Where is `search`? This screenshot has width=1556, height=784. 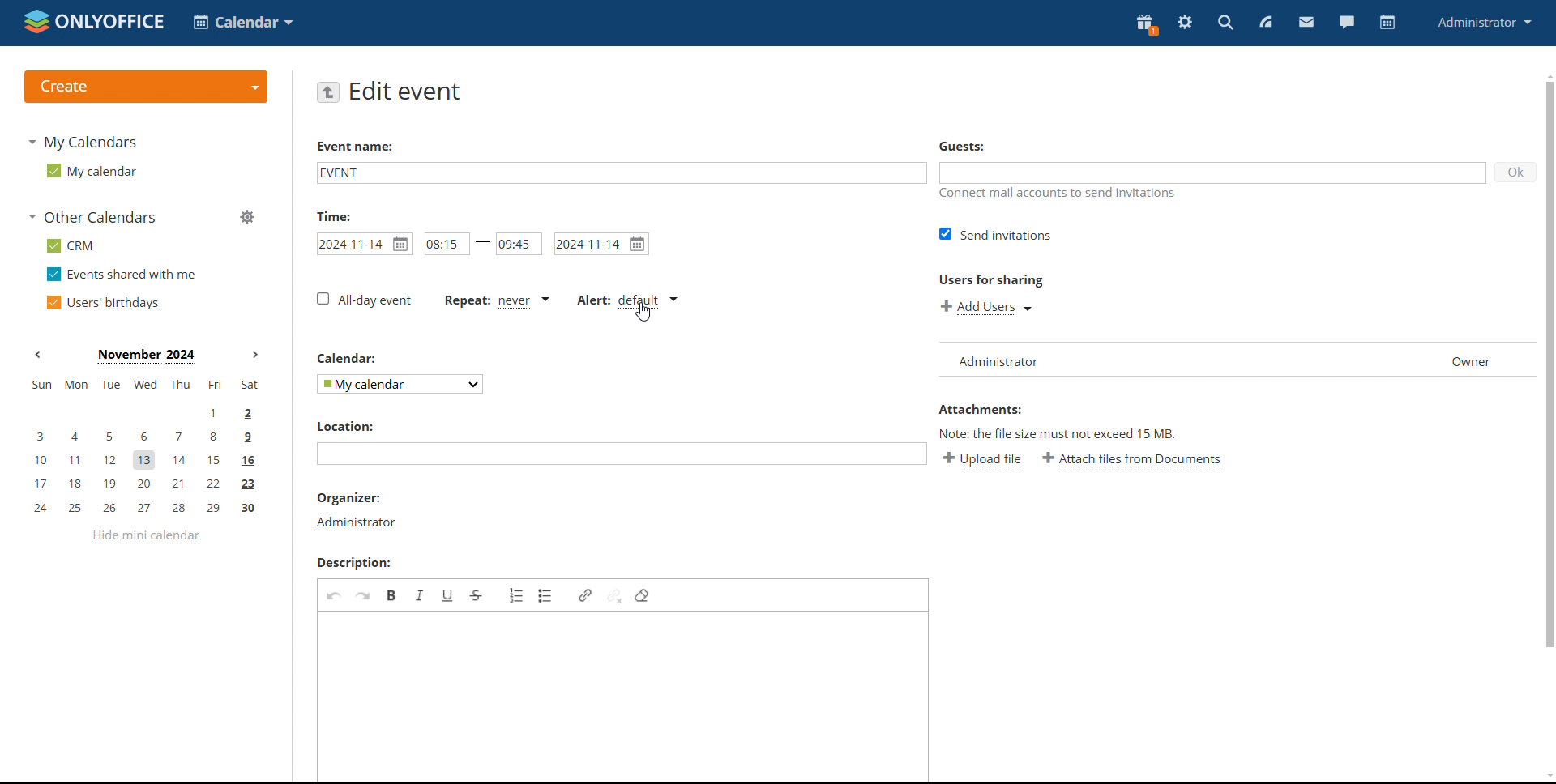 search is located at coordinates (1228, 23).